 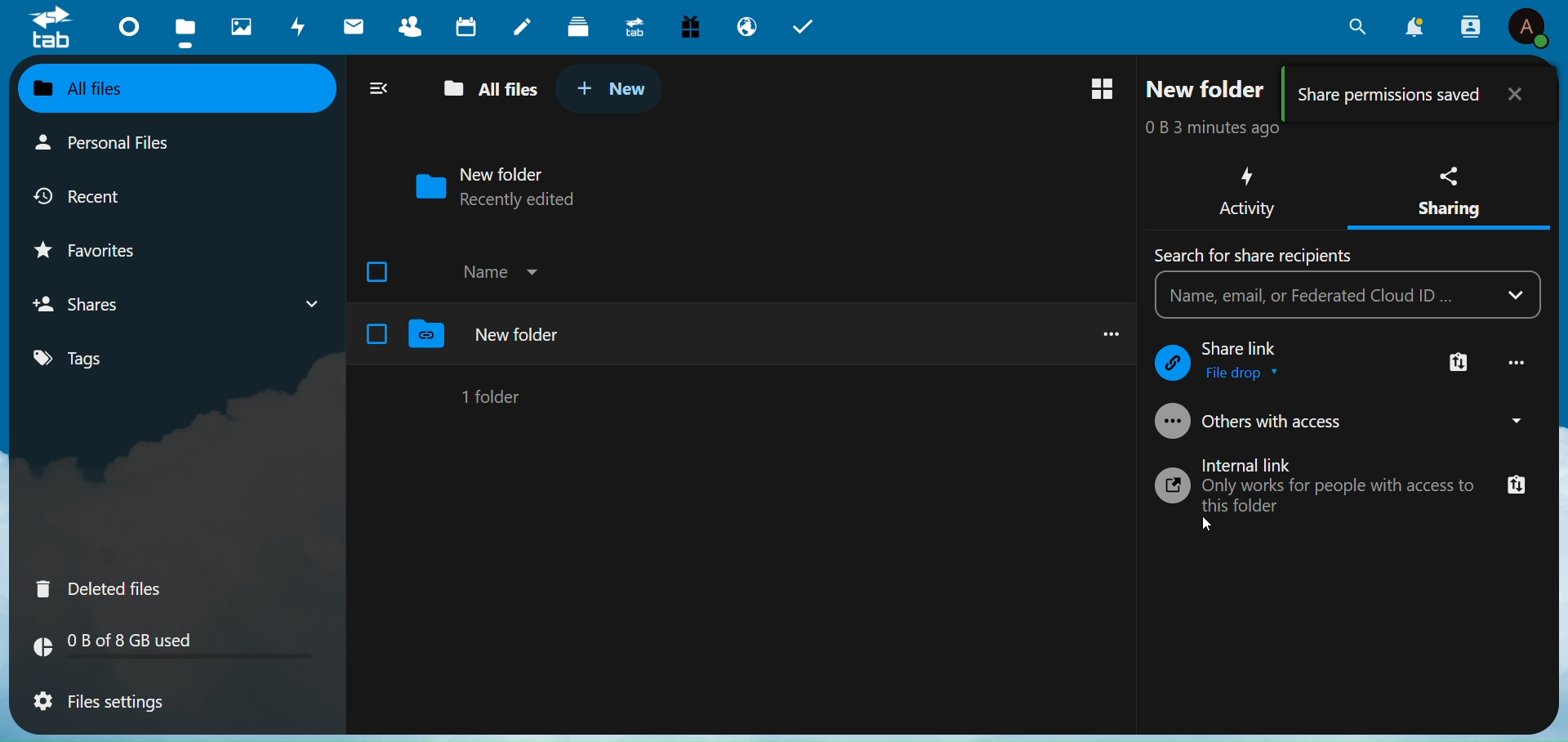 What do you see at coordinates (426, 186) in the screenshot?
I see `Folder Icon` at bounding box center [426, 186].